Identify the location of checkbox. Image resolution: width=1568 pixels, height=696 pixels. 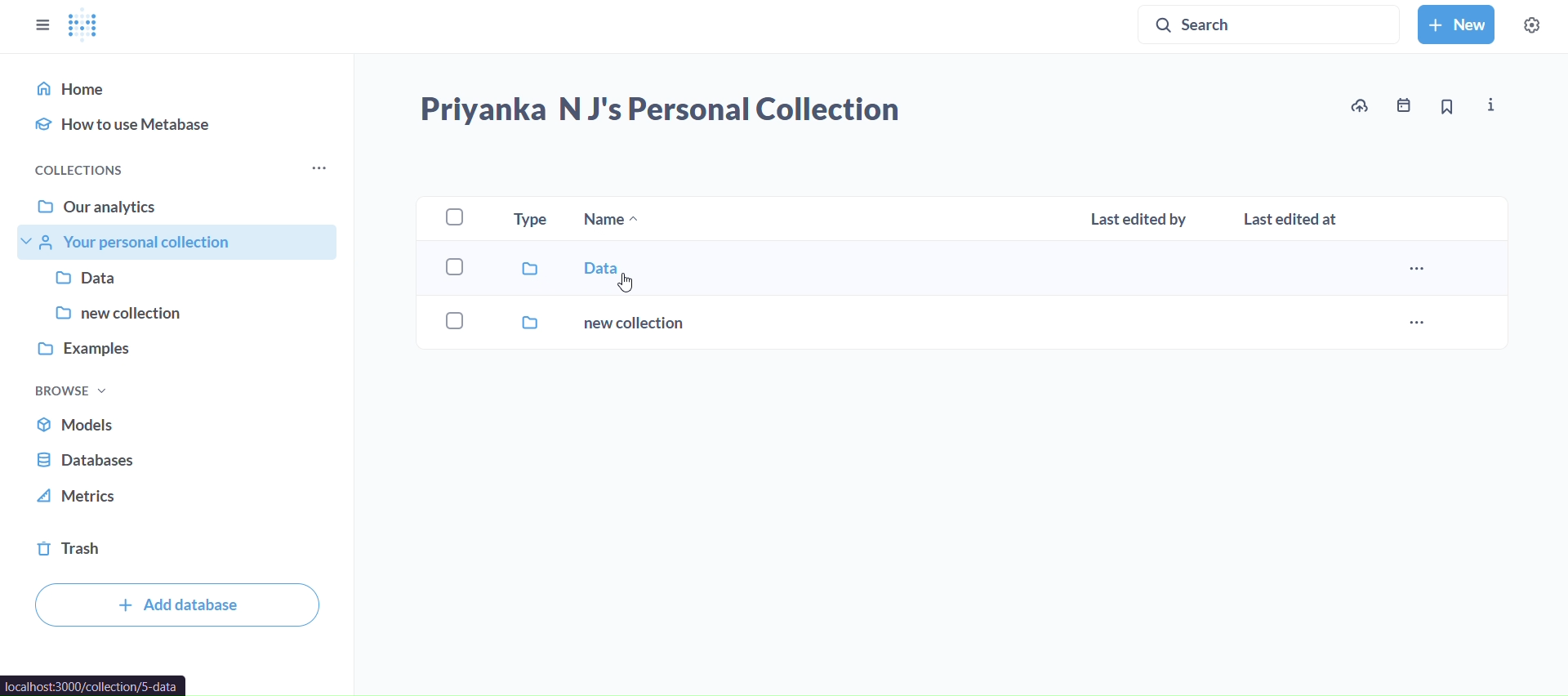
(453, 216).